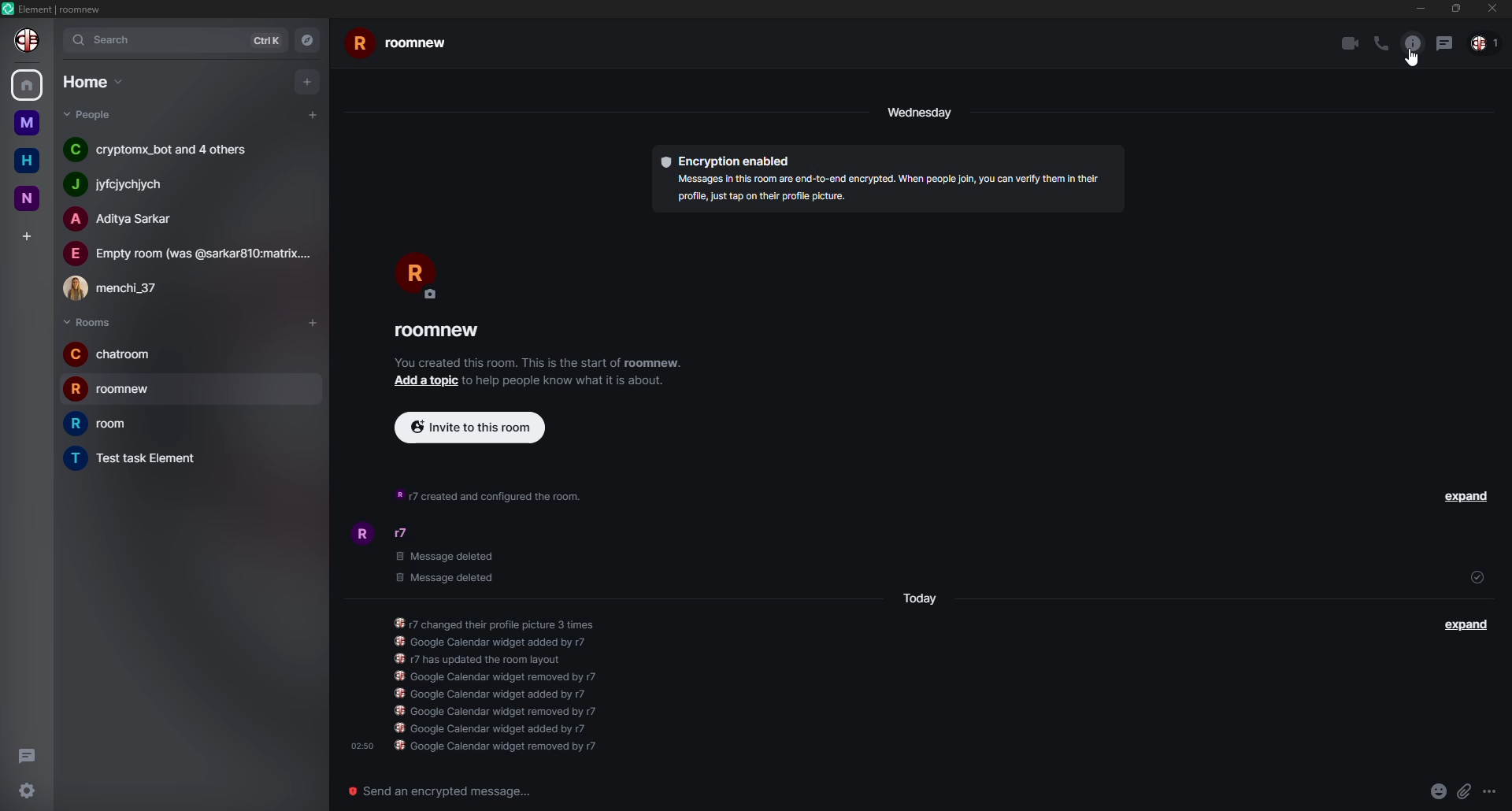 The image size is (1512, 811). I want to click on time, so click(359, 745).